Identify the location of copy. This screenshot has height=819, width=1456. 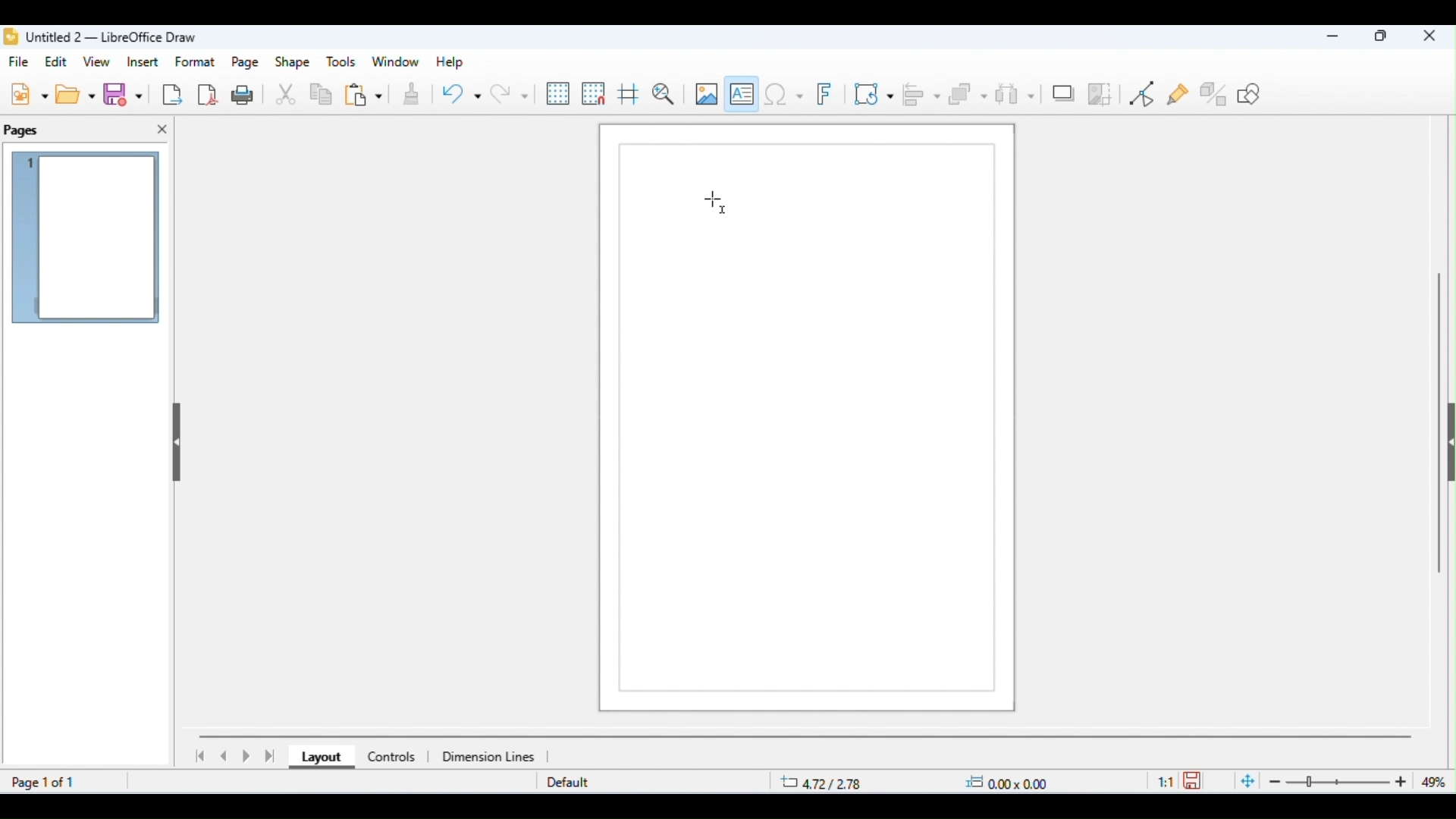
(322, 96).